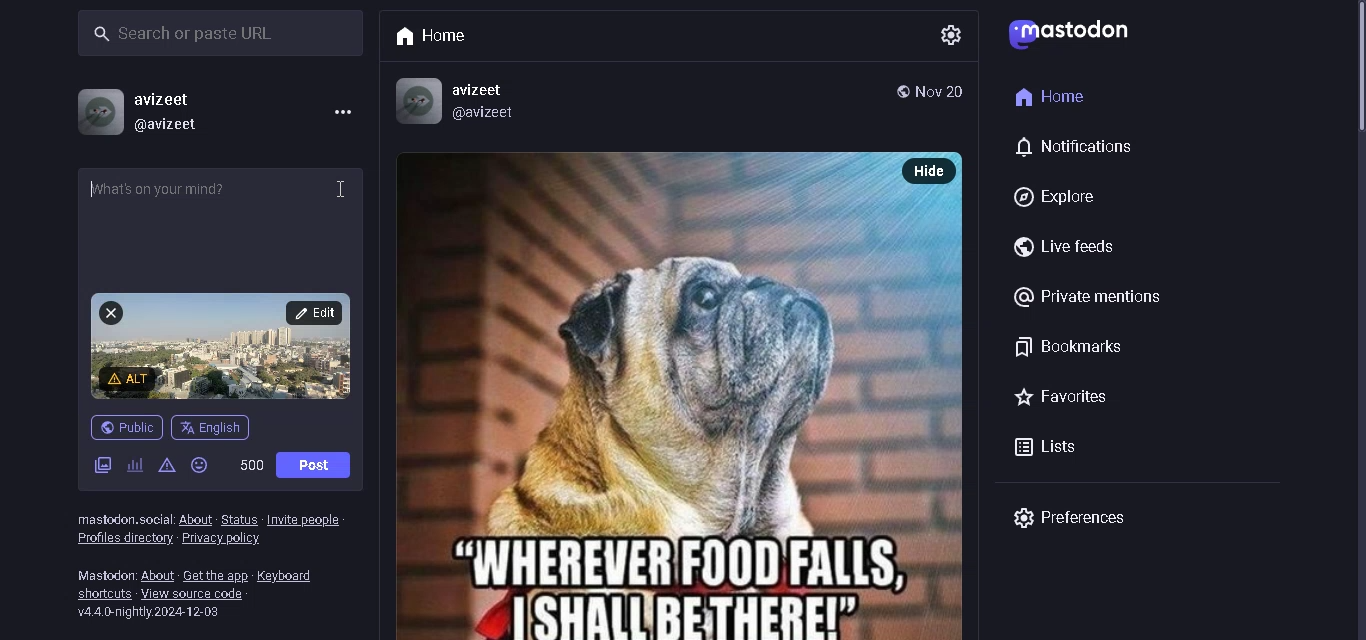  I want to click on add content warning, so click(131, 379).